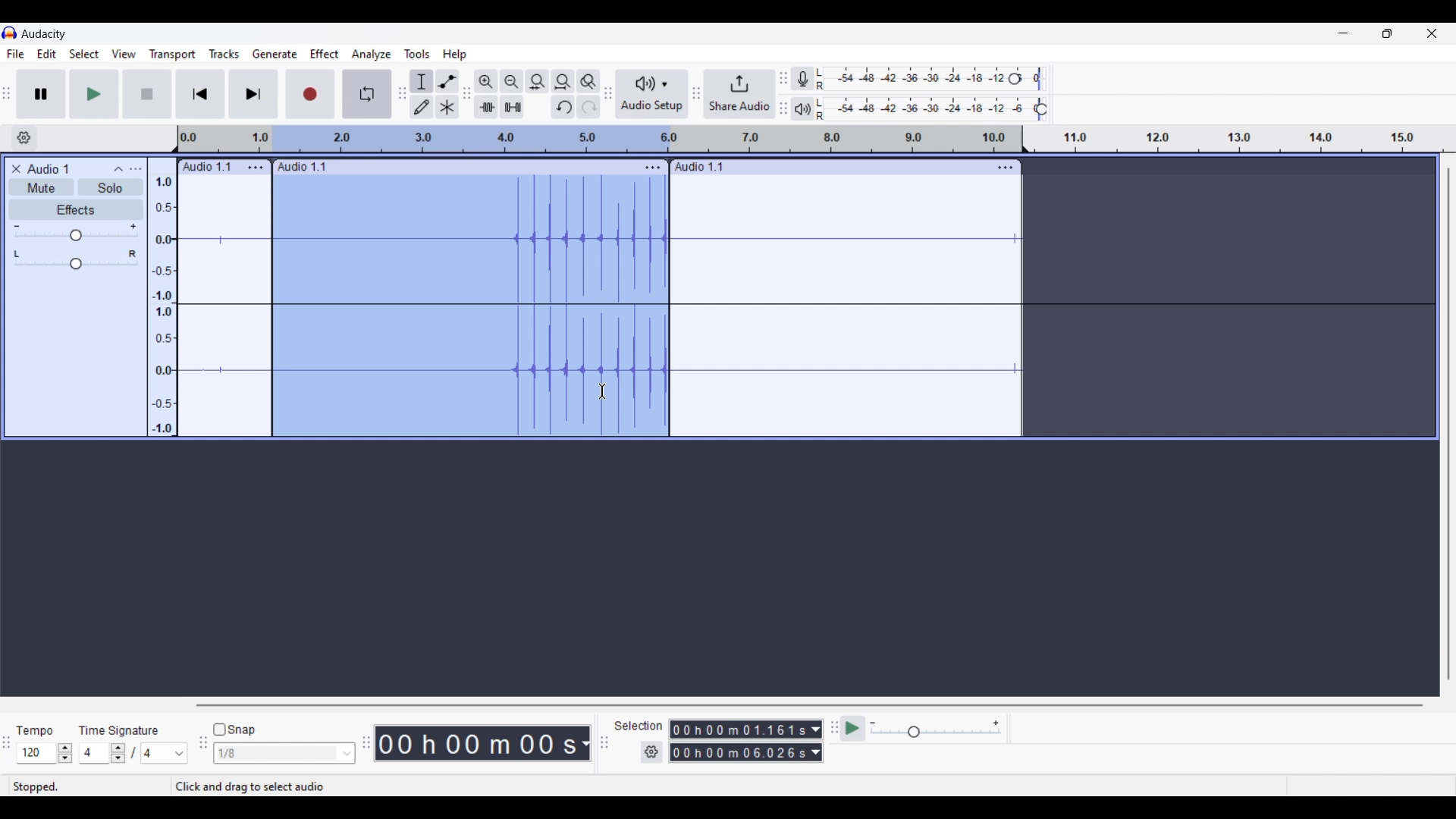 This screenshot has width=1456, height=819. What do you see at coordinates (34, 730) in the screenshot?
I see `Tempo` at bounding box center [34, 730].